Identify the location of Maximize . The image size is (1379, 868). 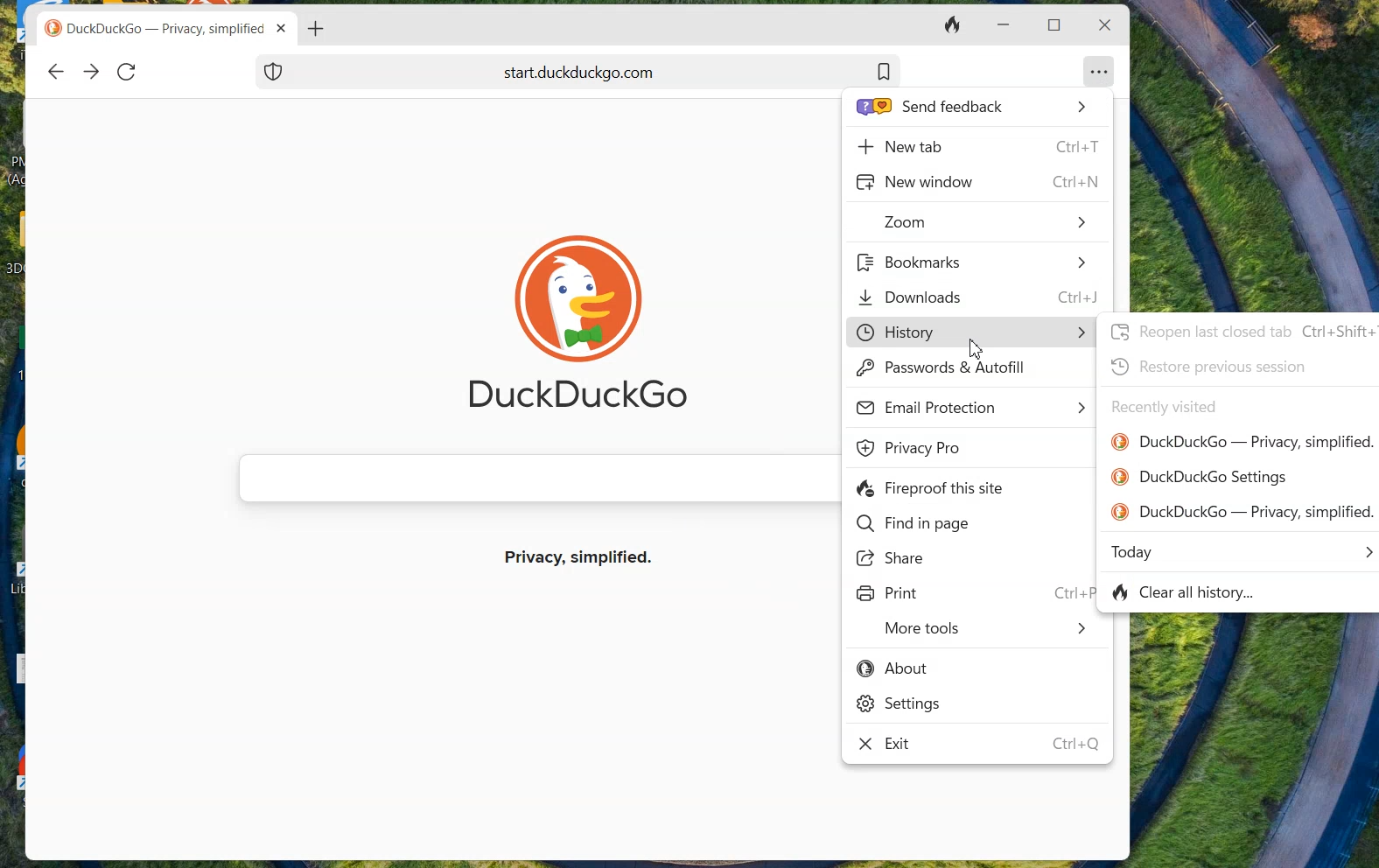
(1057, 24).